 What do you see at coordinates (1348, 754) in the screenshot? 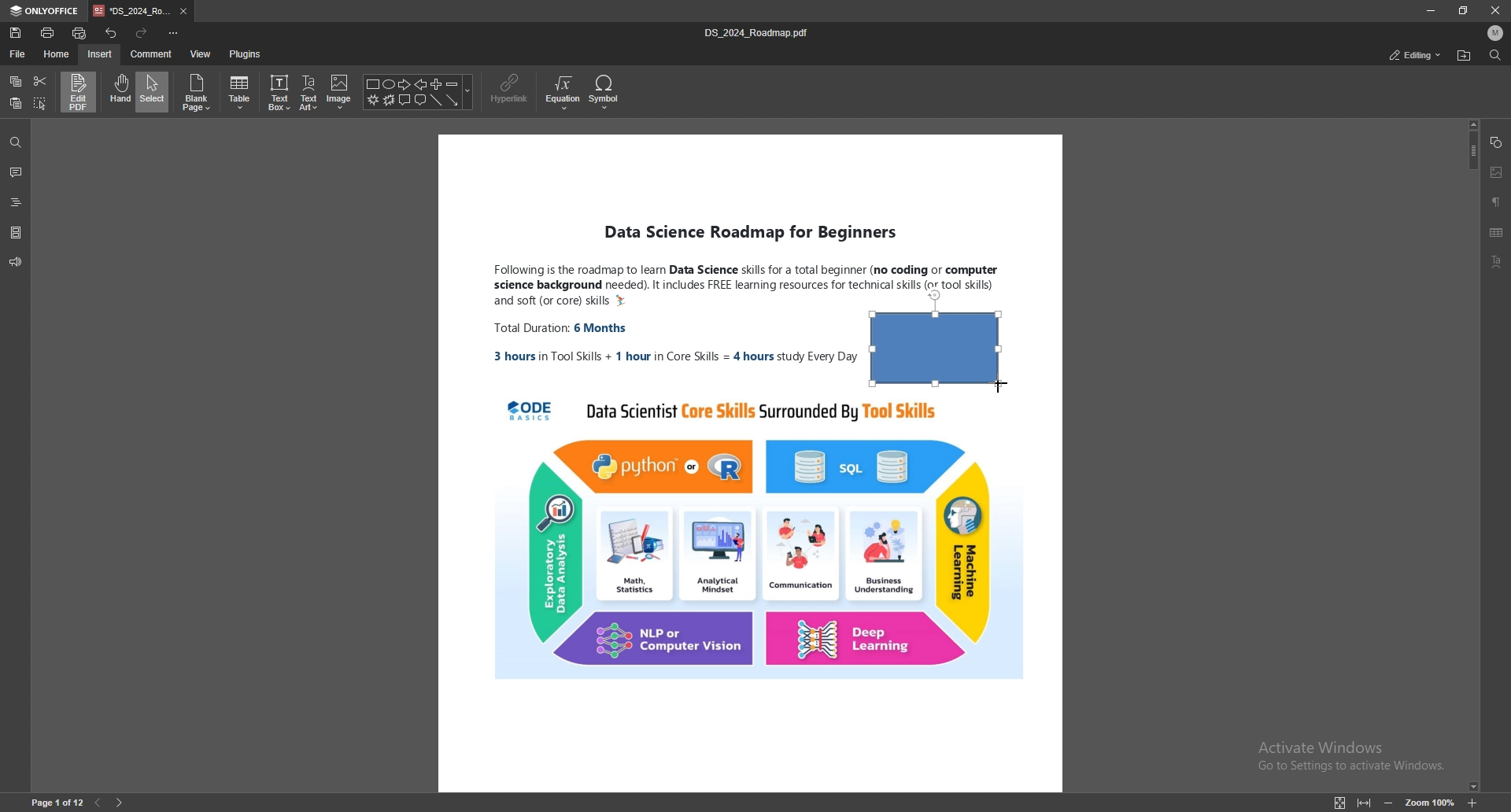
I see `Activate Windows
Go to Settings to activate Windows.` at bounding box center [1348, 754].